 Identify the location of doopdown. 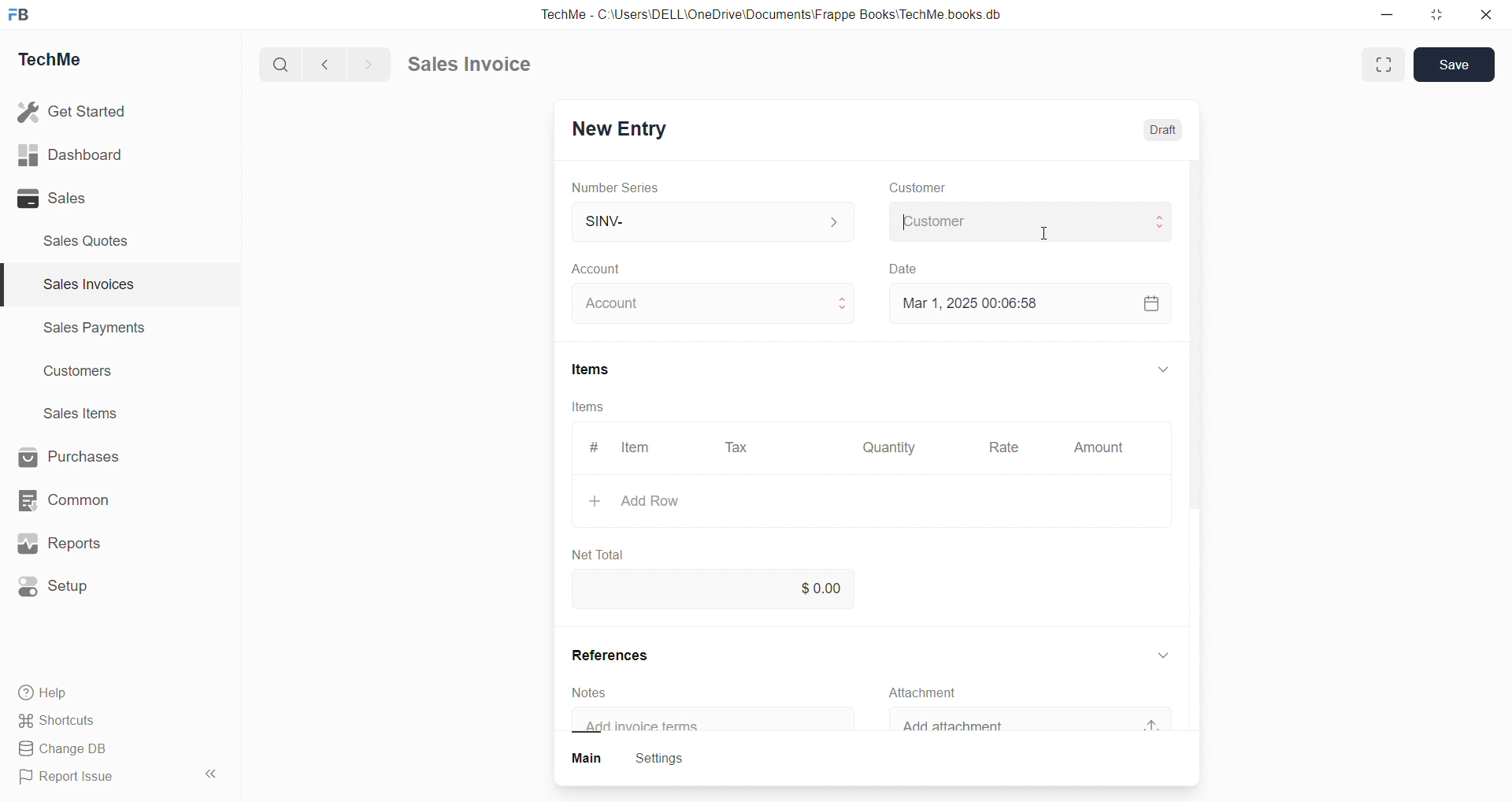
(1161, 366).